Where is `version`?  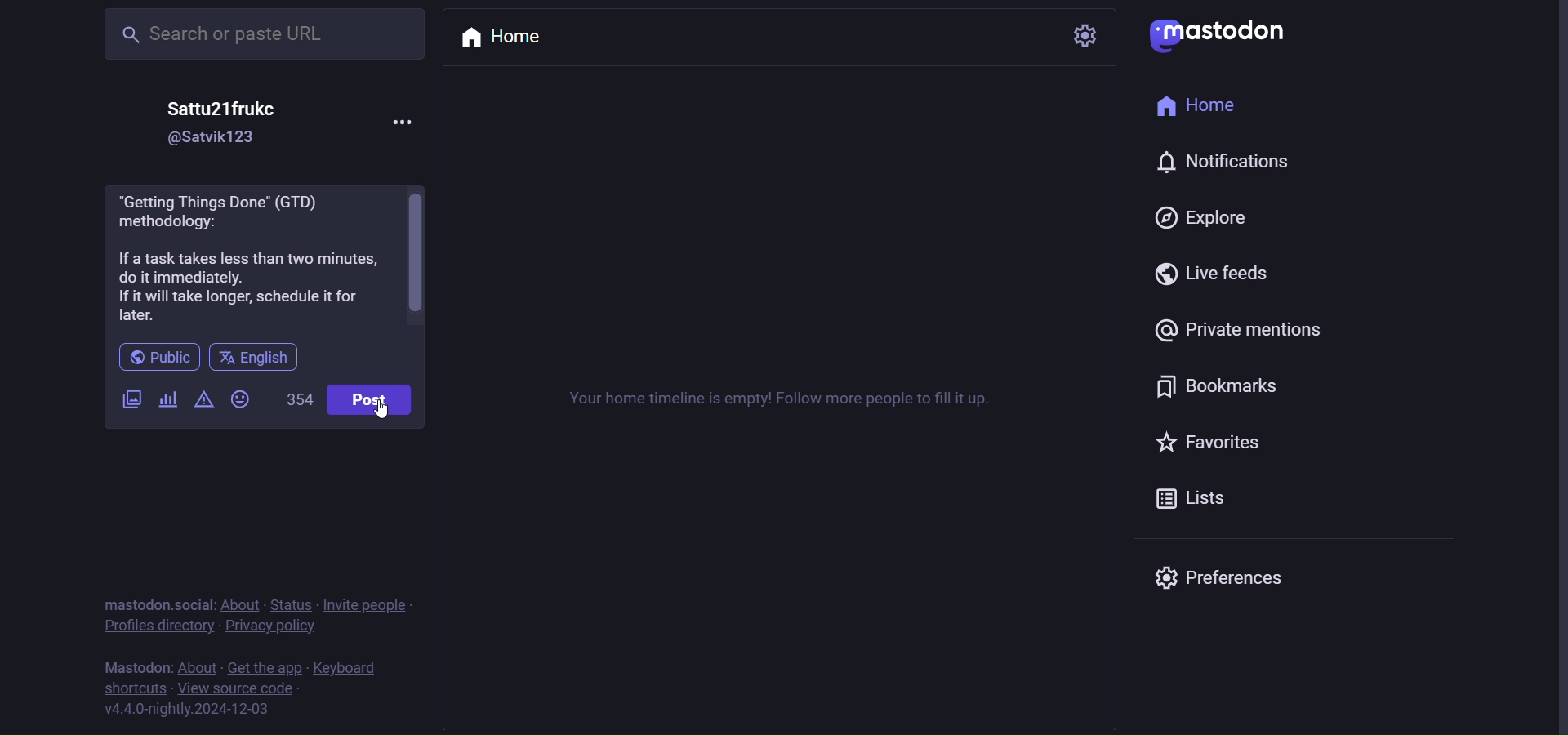
version is located at coordinates (190, 710).